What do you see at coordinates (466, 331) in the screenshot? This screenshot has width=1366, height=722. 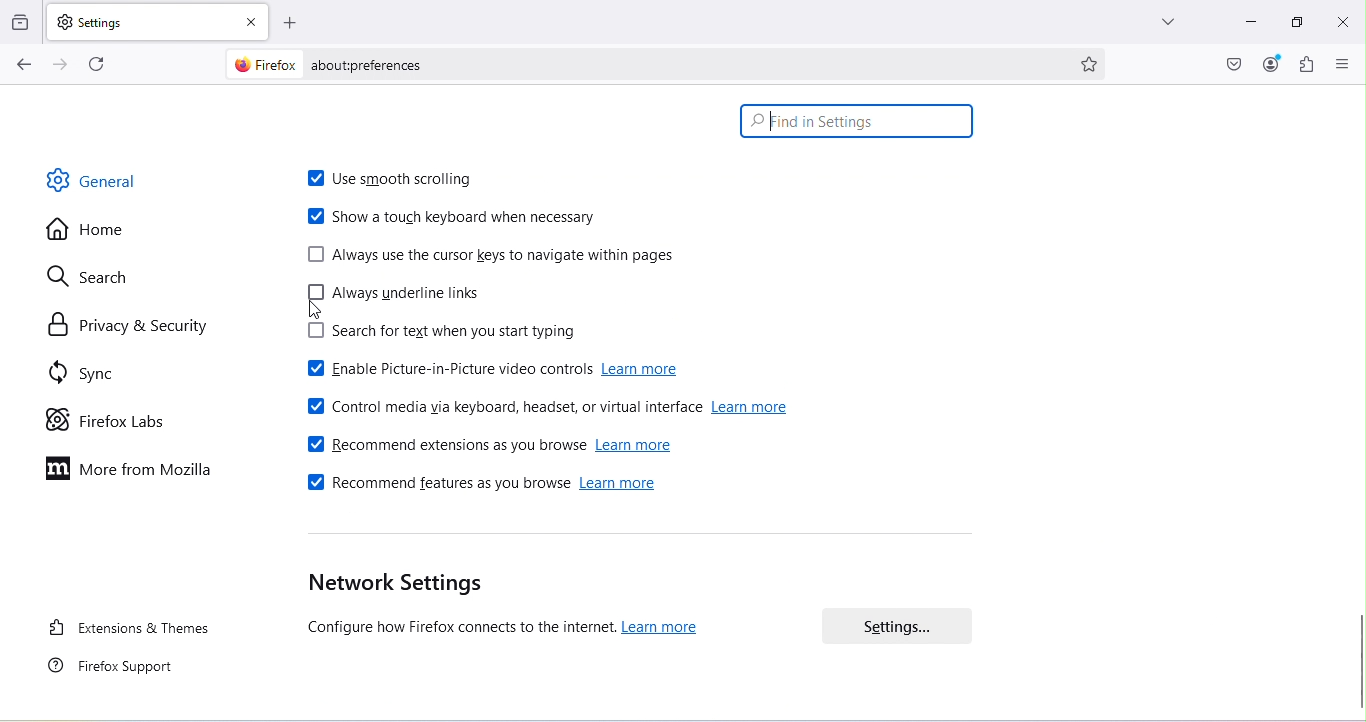 I see `Search for text when you start typing` at bounding box center [466, 331].